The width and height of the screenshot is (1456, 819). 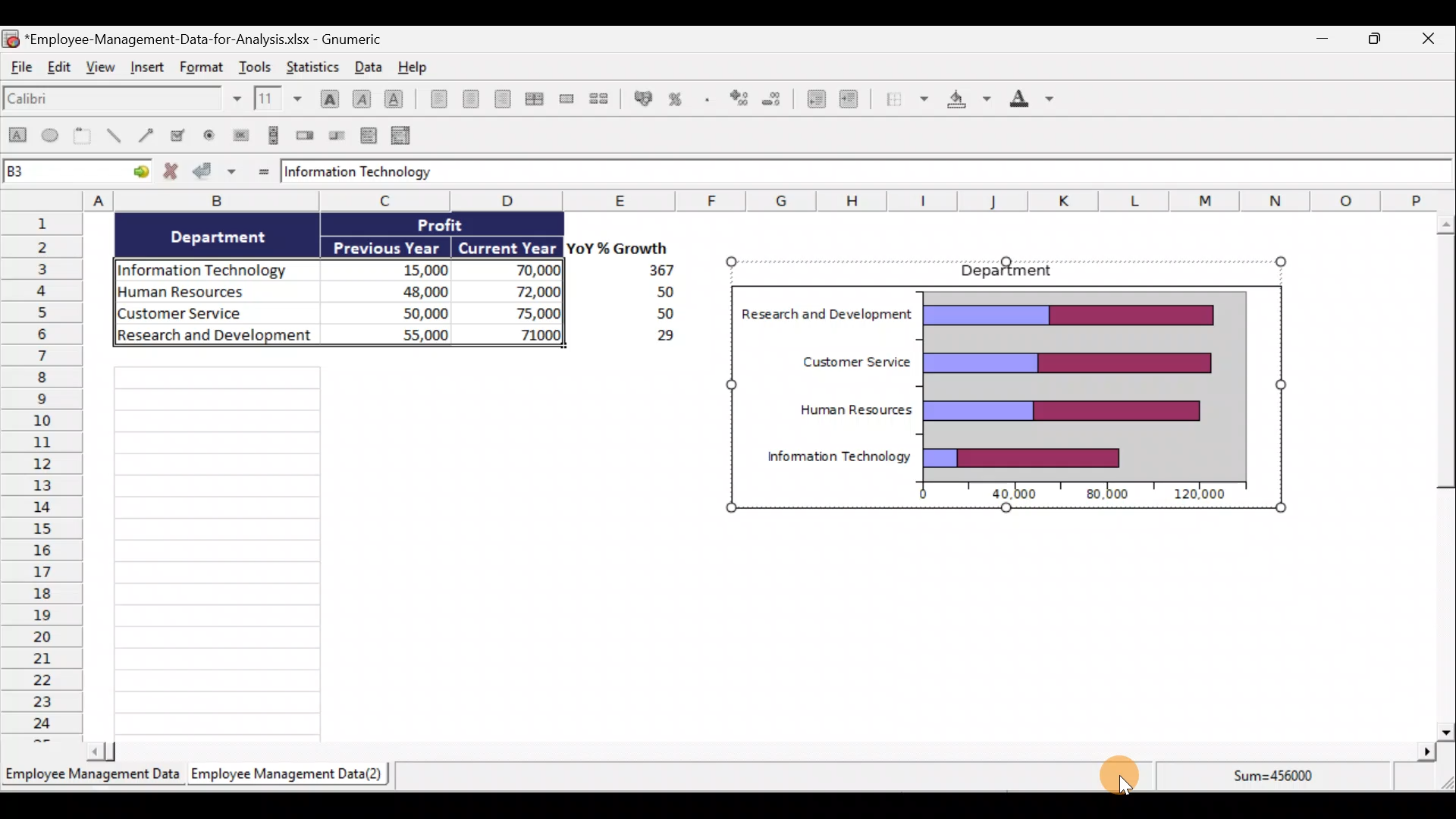 I want to click on Merge a range of cells, so click(x=566, y=99).